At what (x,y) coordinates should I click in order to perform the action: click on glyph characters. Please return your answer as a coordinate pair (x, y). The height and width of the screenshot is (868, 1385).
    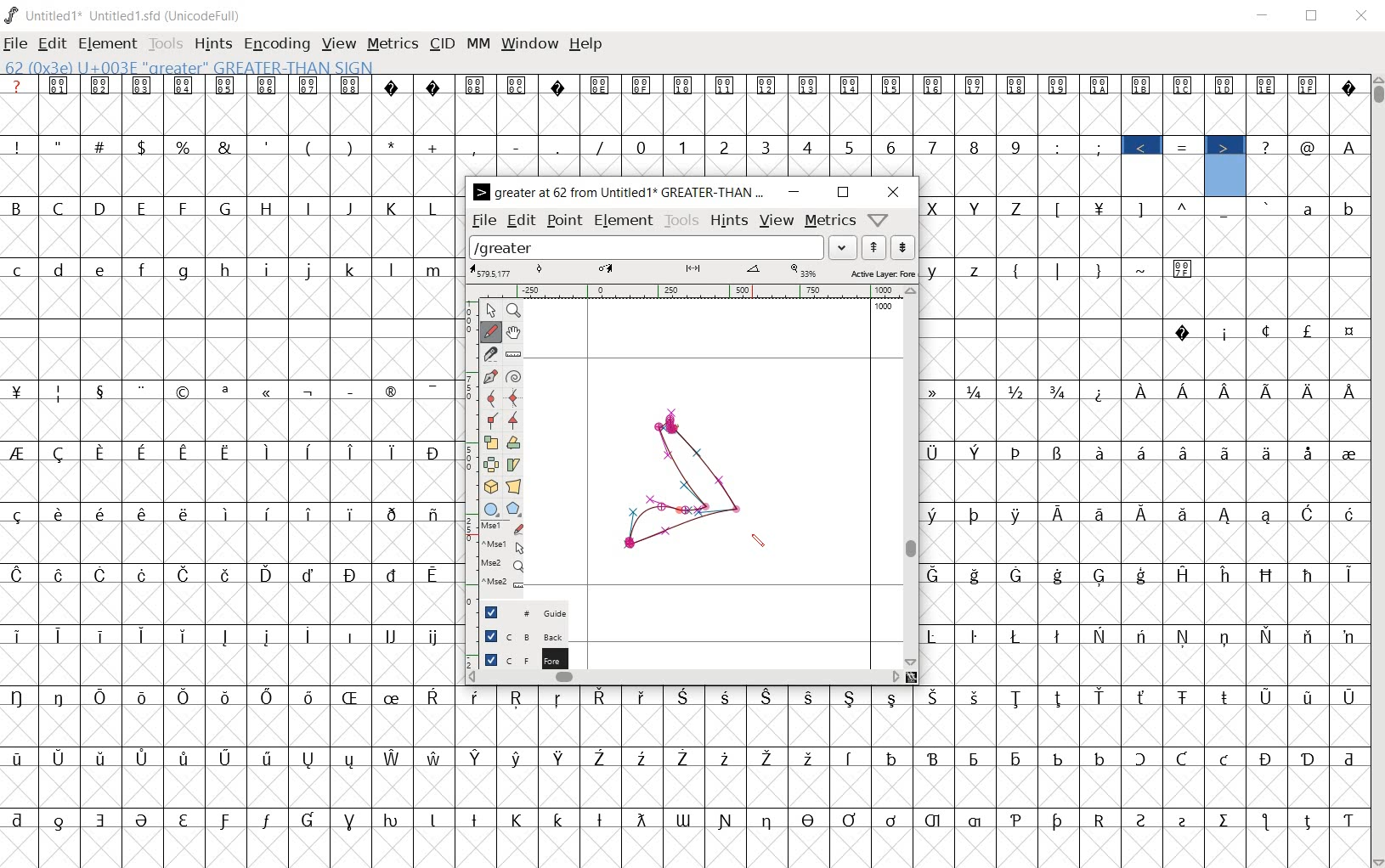
    Looking at the image, I should click on (817, 125).